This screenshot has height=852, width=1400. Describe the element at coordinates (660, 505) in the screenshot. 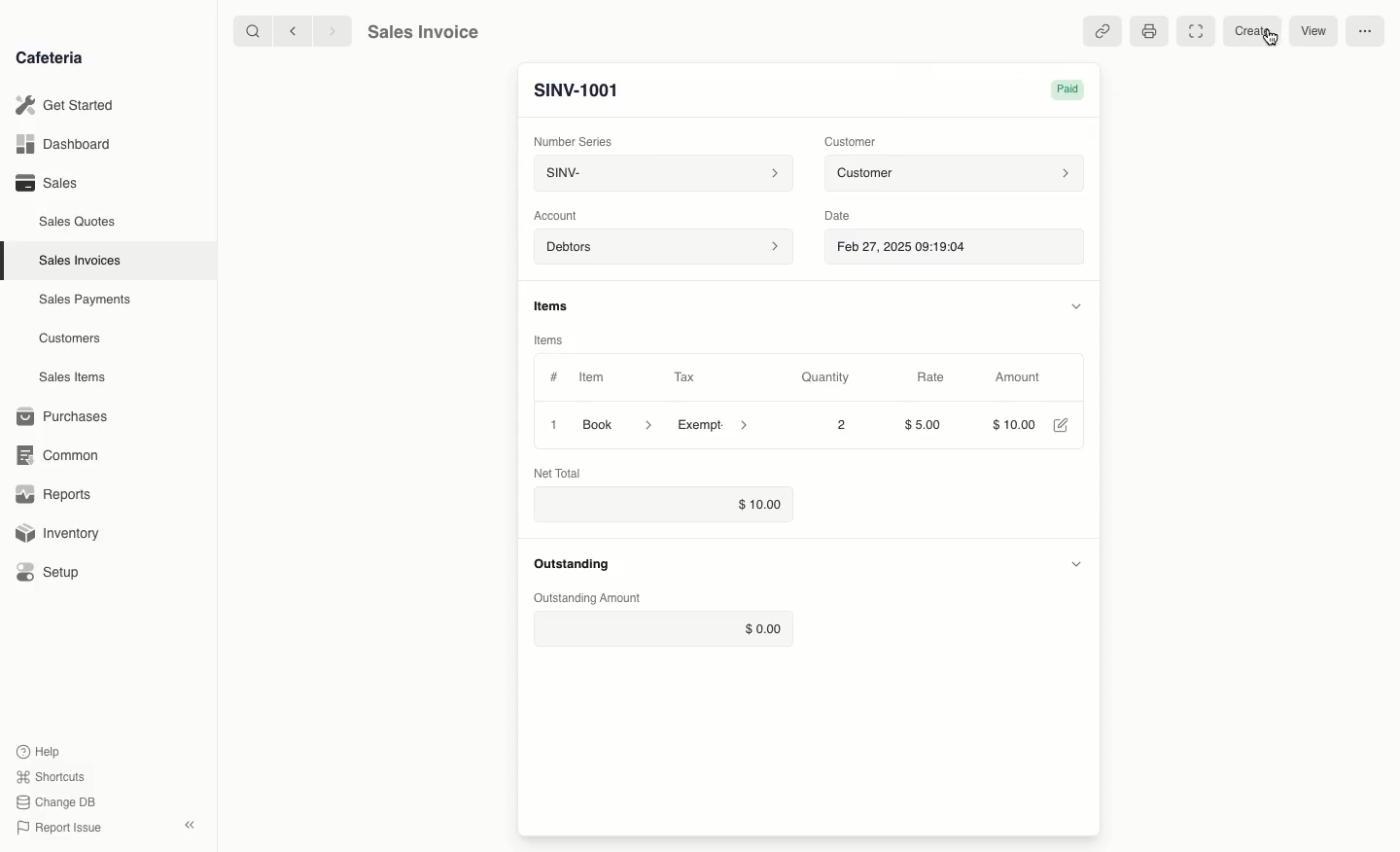

I see `$10.00` at that location.